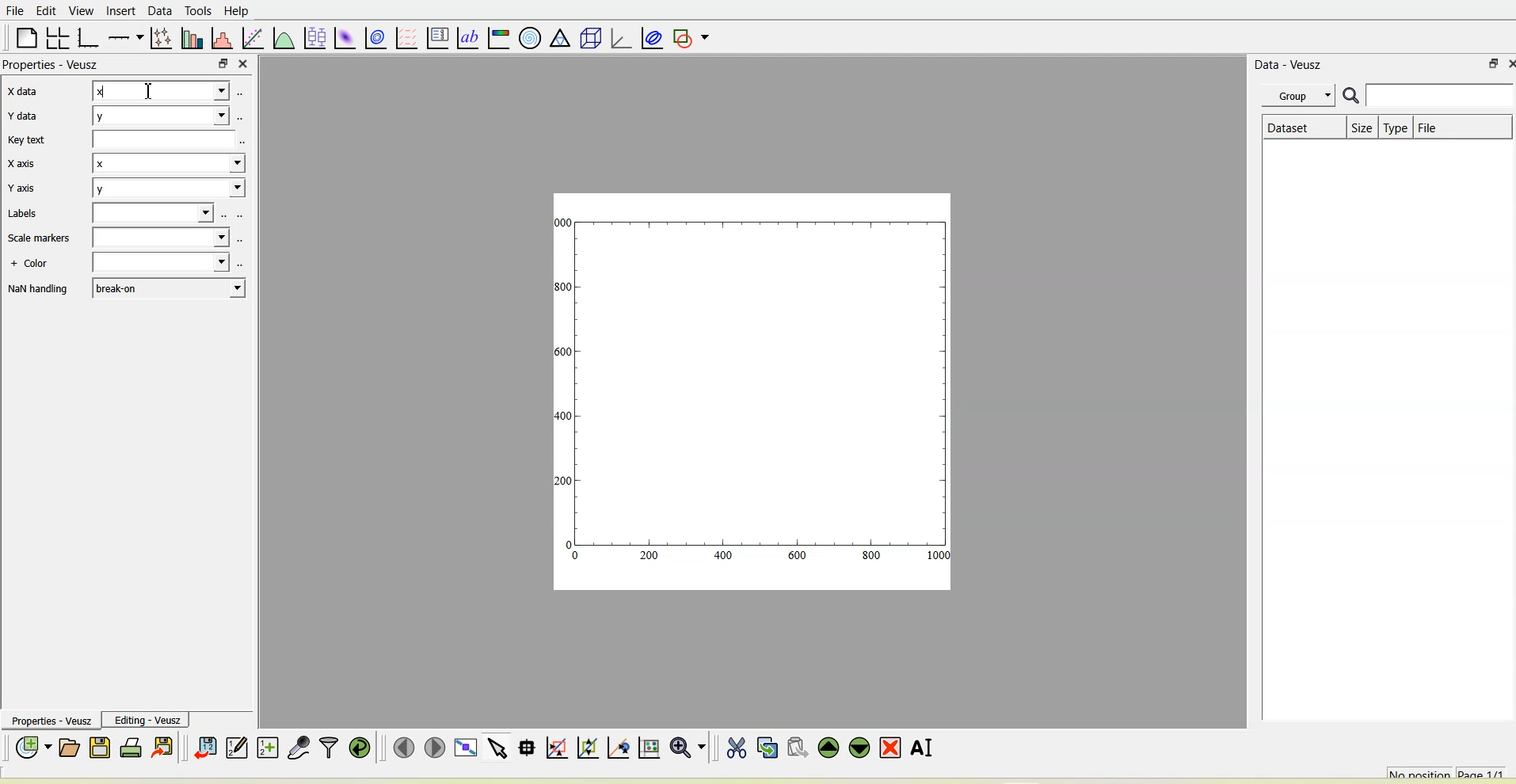  I want to click on Tools, so click(196, 11).